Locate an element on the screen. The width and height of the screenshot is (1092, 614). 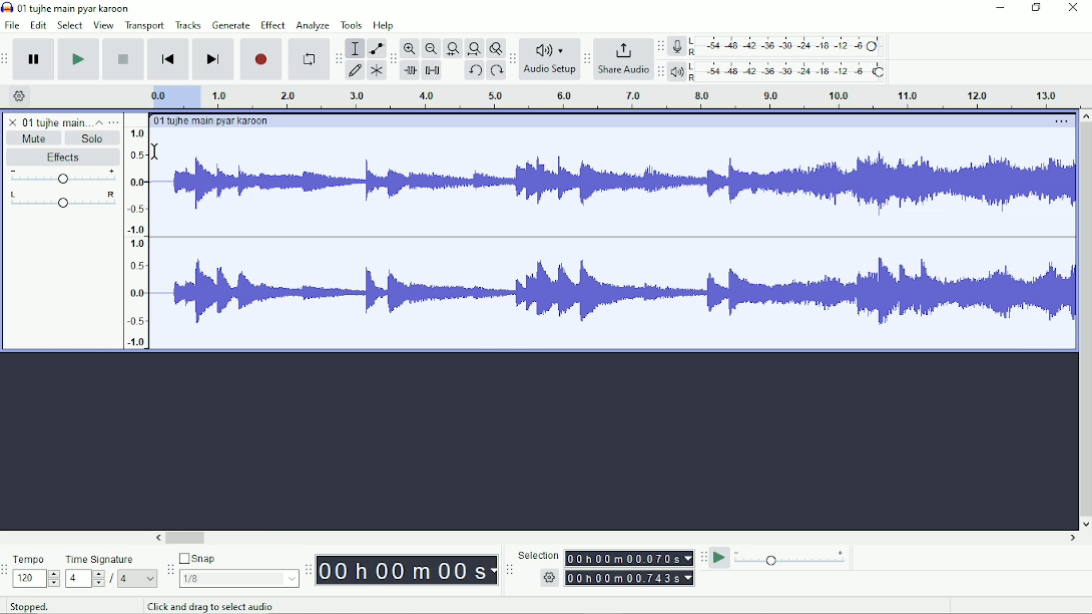
Envelope tool is located at coordinates (375, 49).